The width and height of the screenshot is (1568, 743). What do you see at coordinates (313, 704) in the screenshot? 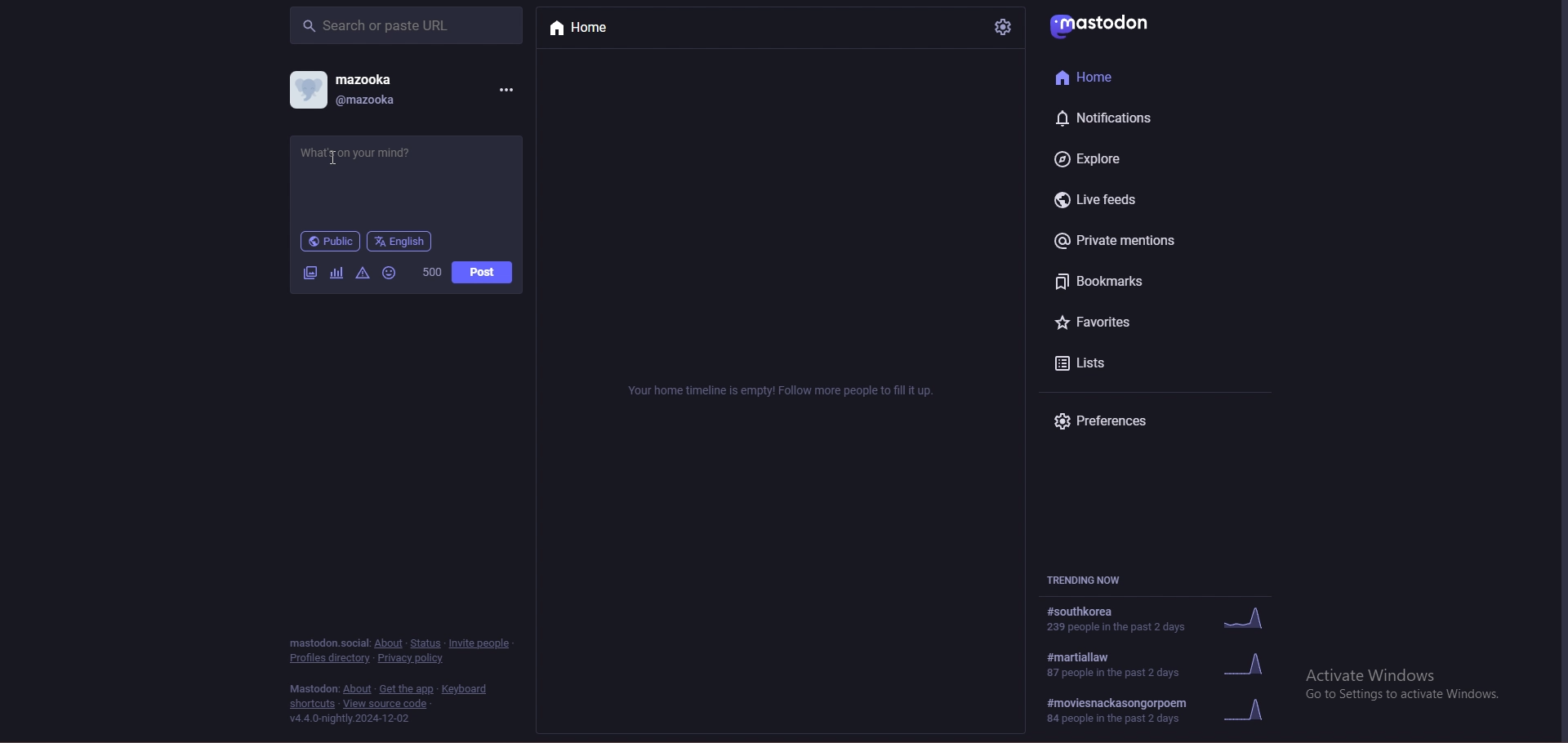
I see `shortcuts` at bounding box center [313, 704].